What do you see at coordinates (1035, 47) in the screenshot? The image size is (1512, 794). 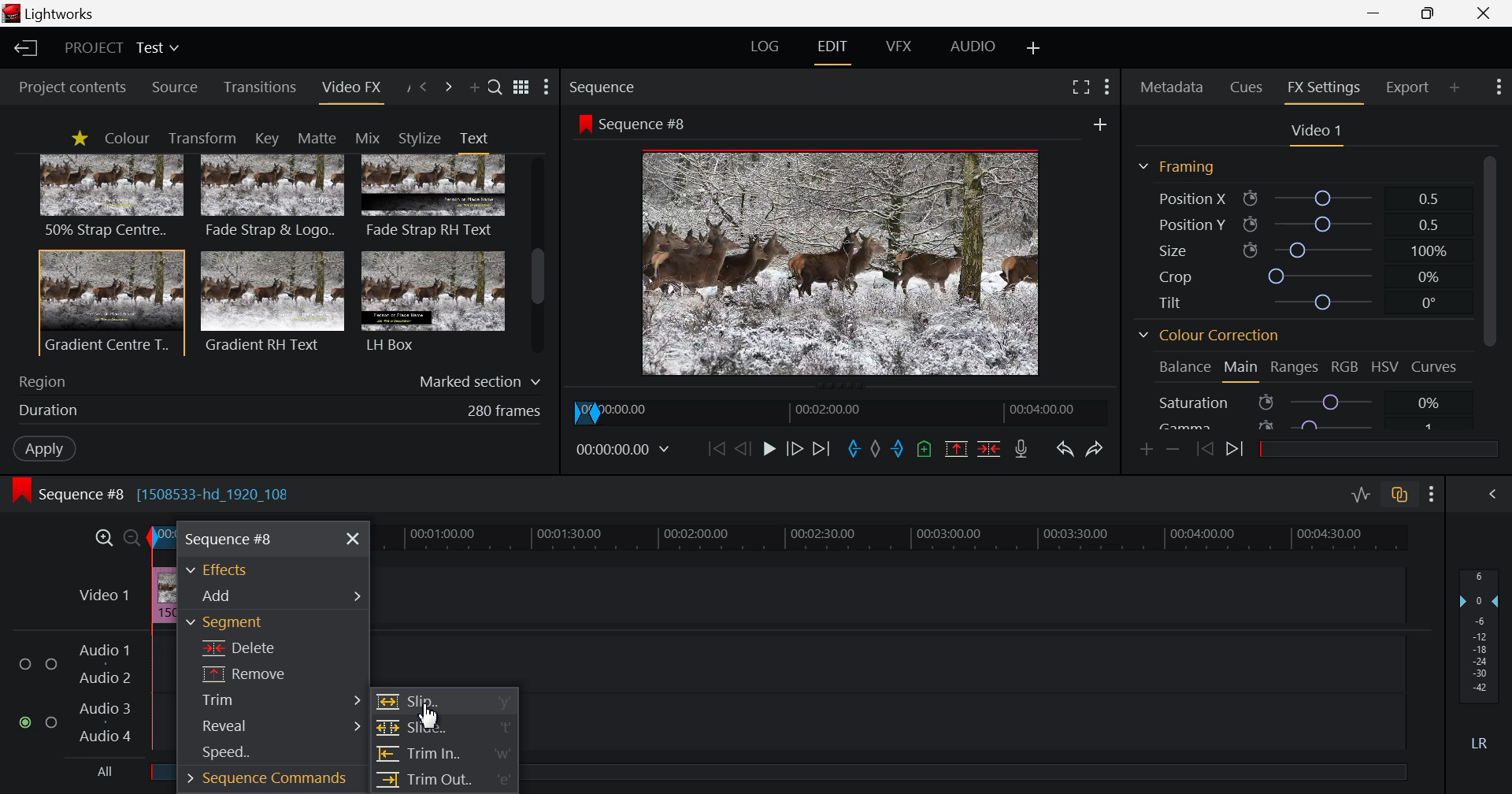 I see `Add Layout` at bounding box center [1035, 47].